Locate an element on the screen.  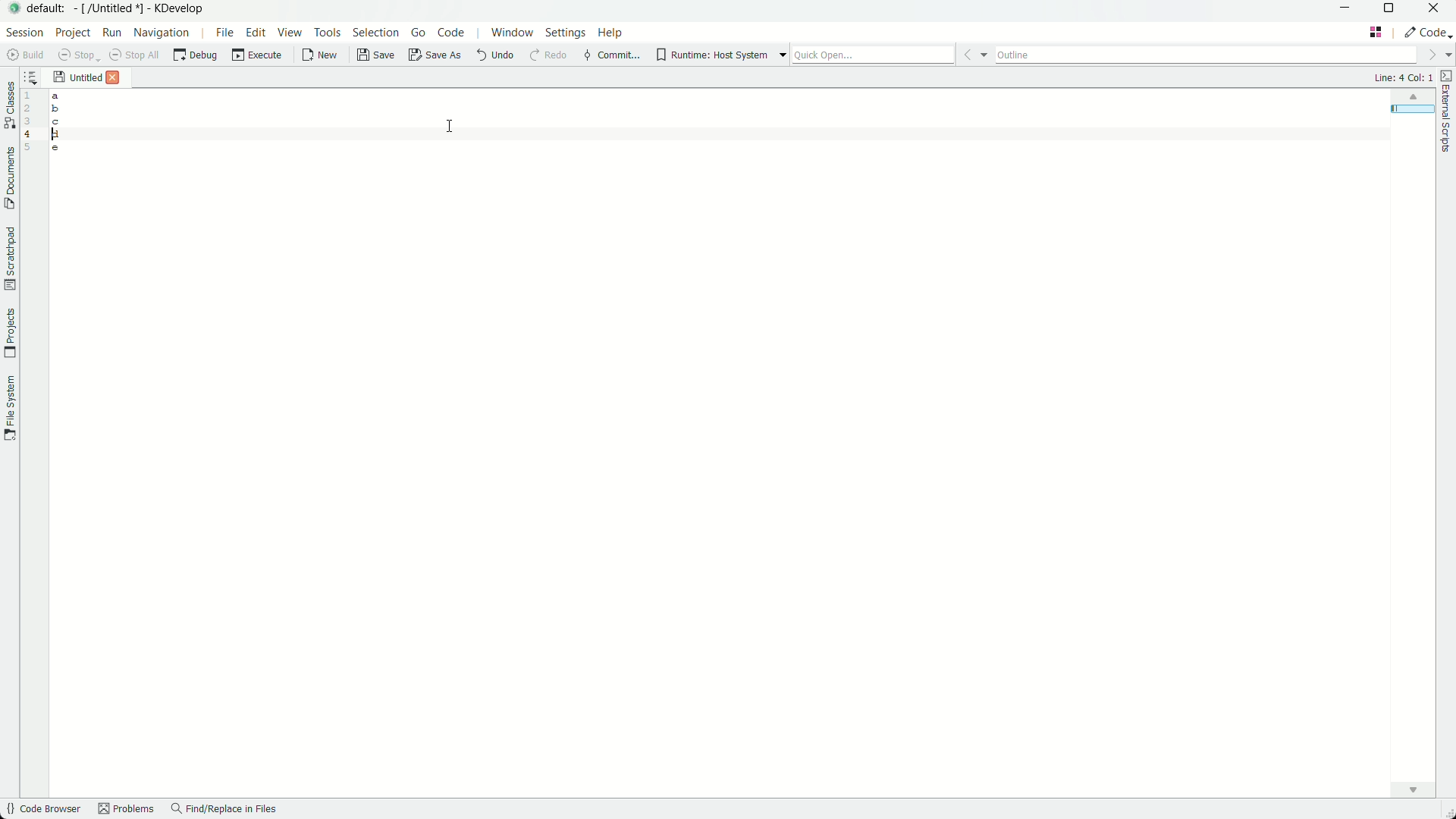
new file is located at coordinates (317, 58).